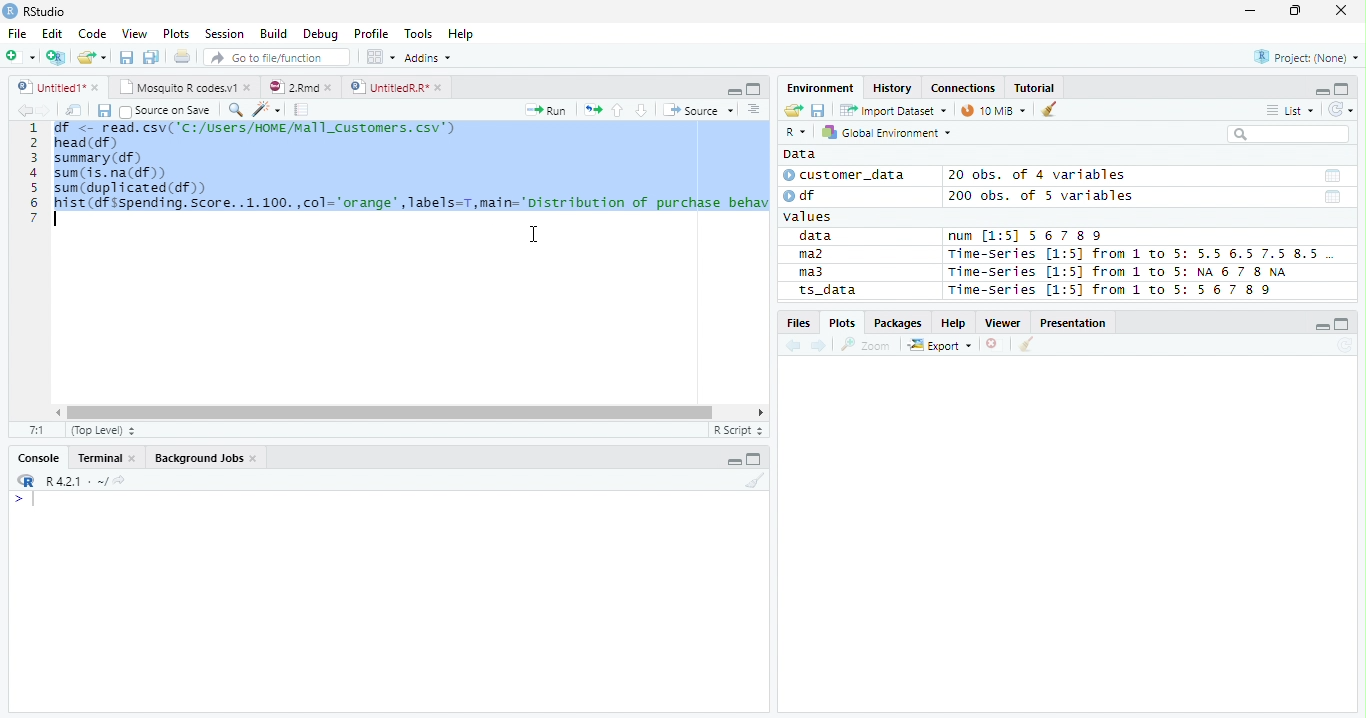  I want to click on View Current work directory, so click(121, 480).